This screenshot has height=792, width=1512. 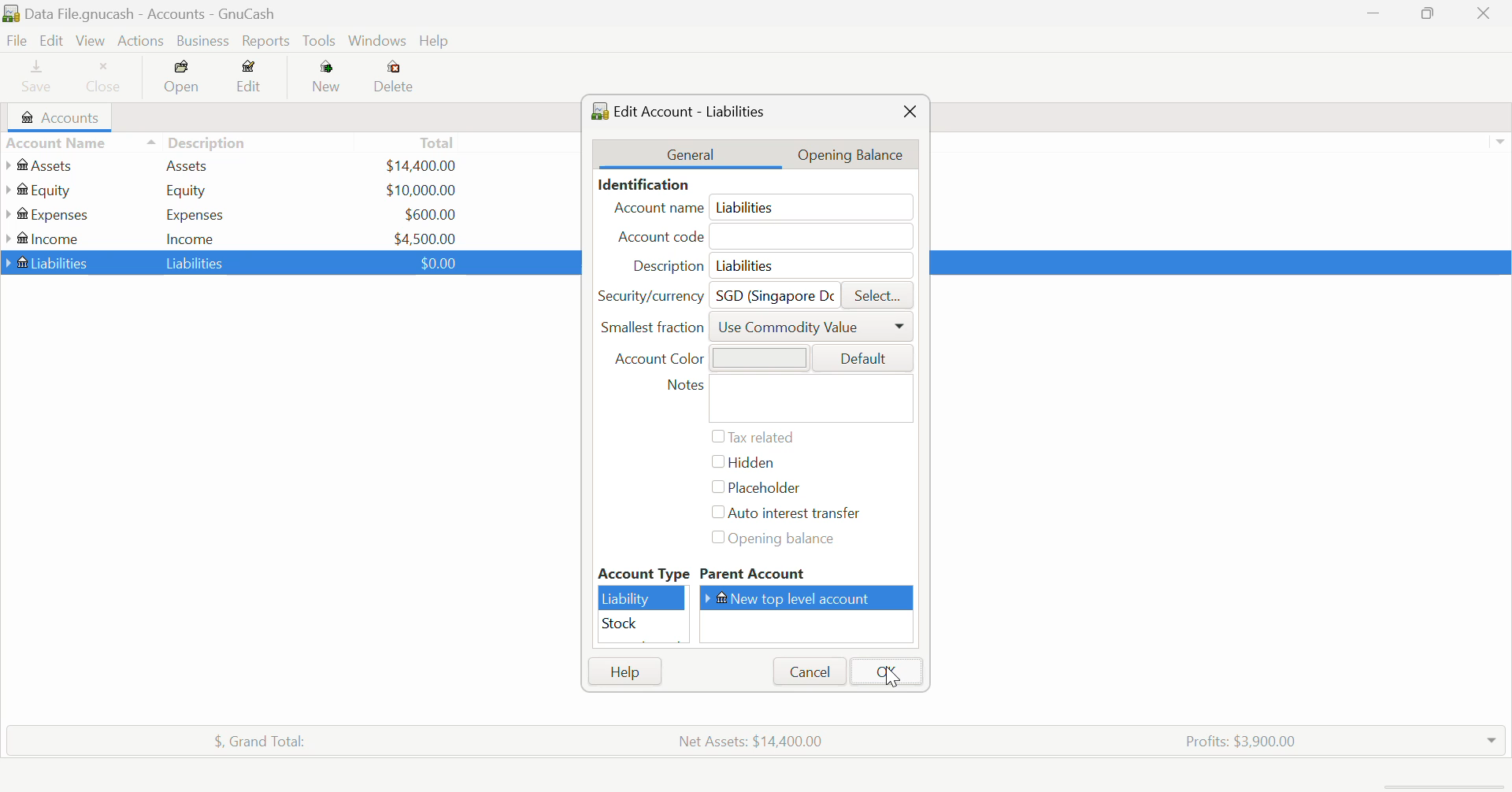 I want to click on Help, so click(x=624, y=672).